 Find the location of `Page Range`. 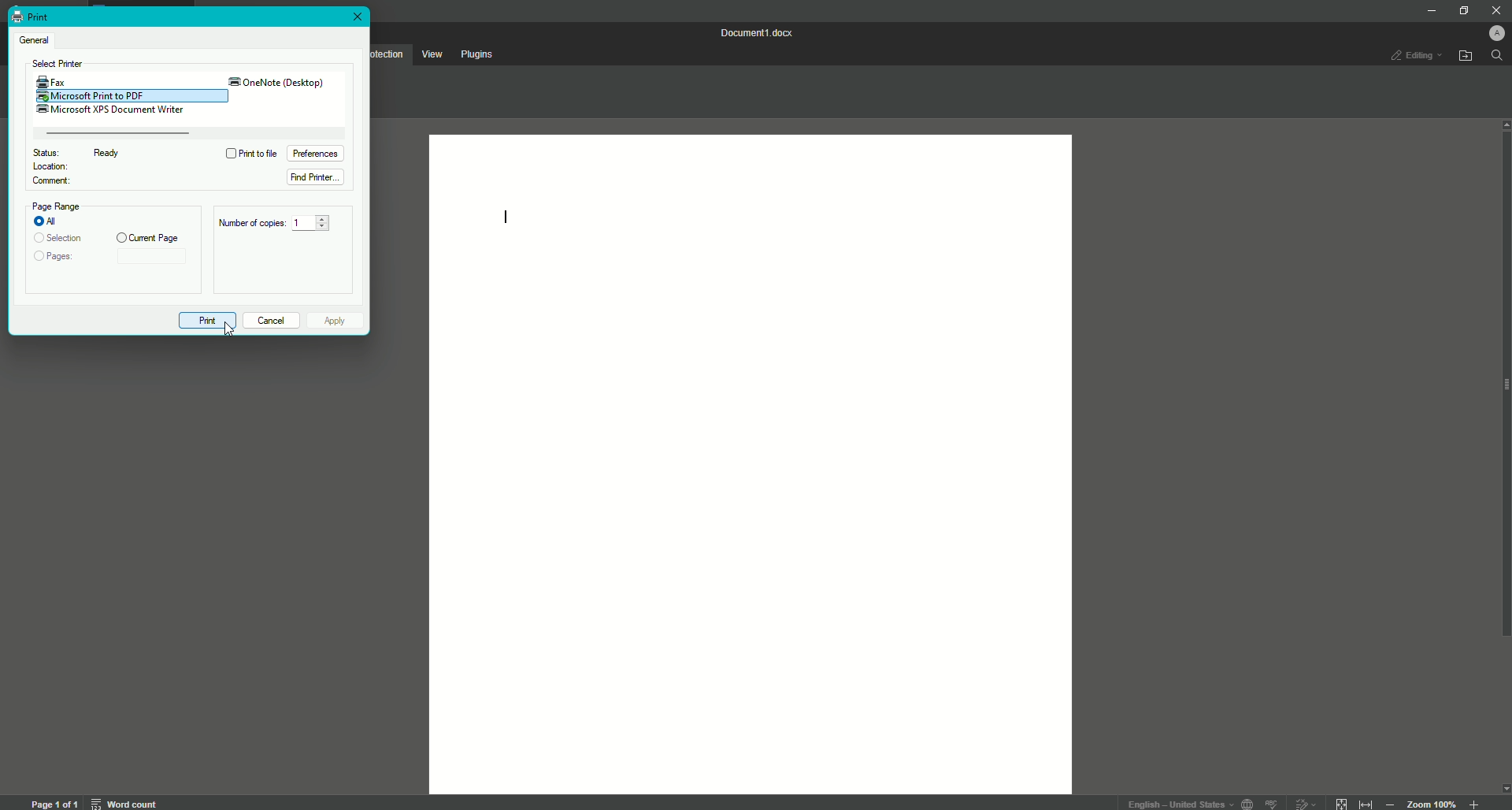

Page Range is located at coordinates (60, 206).